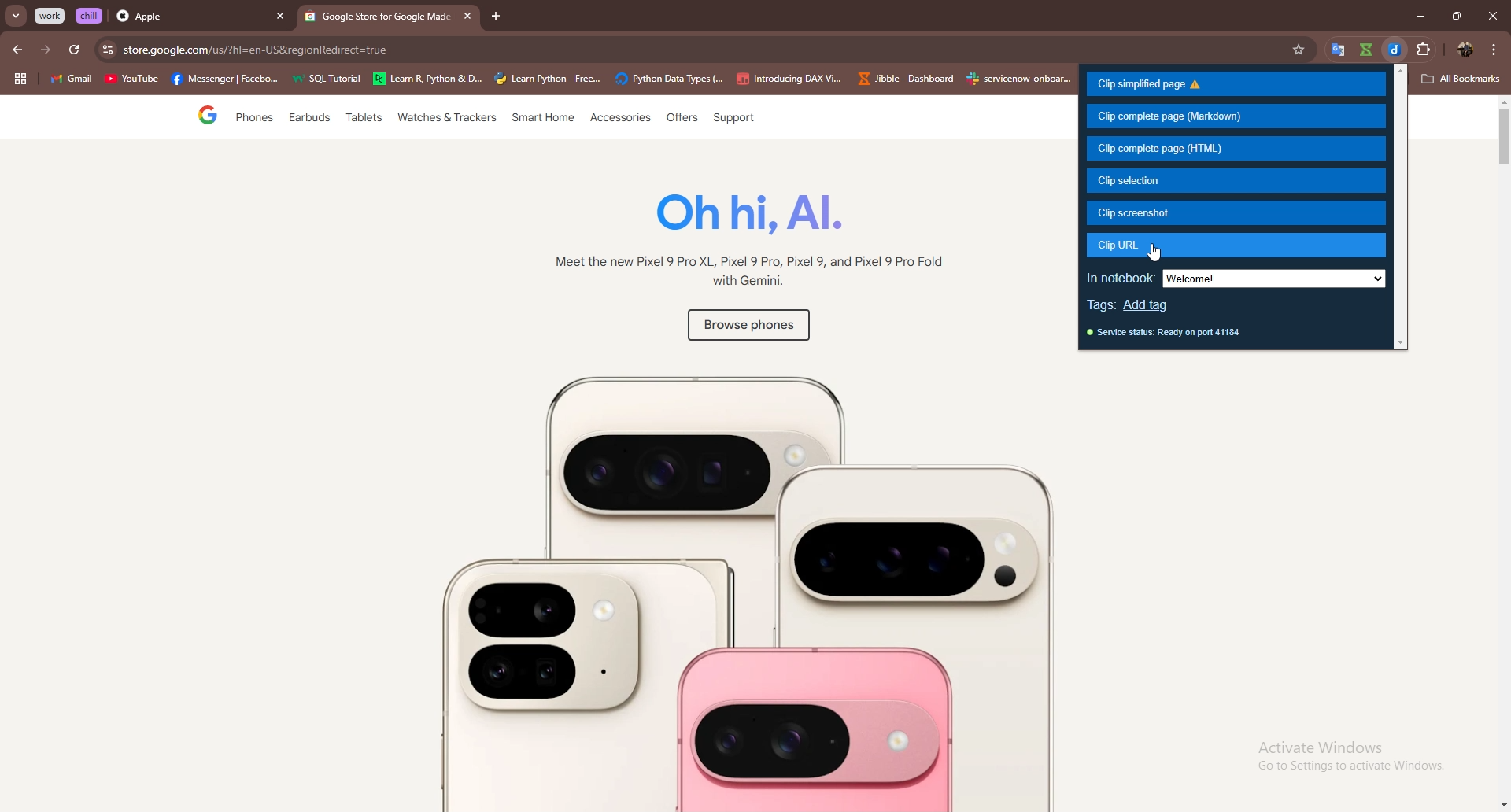 Image resolution: width=1511 pixels, height=812 pixels. I want to click on Phones, so click(250, 119).